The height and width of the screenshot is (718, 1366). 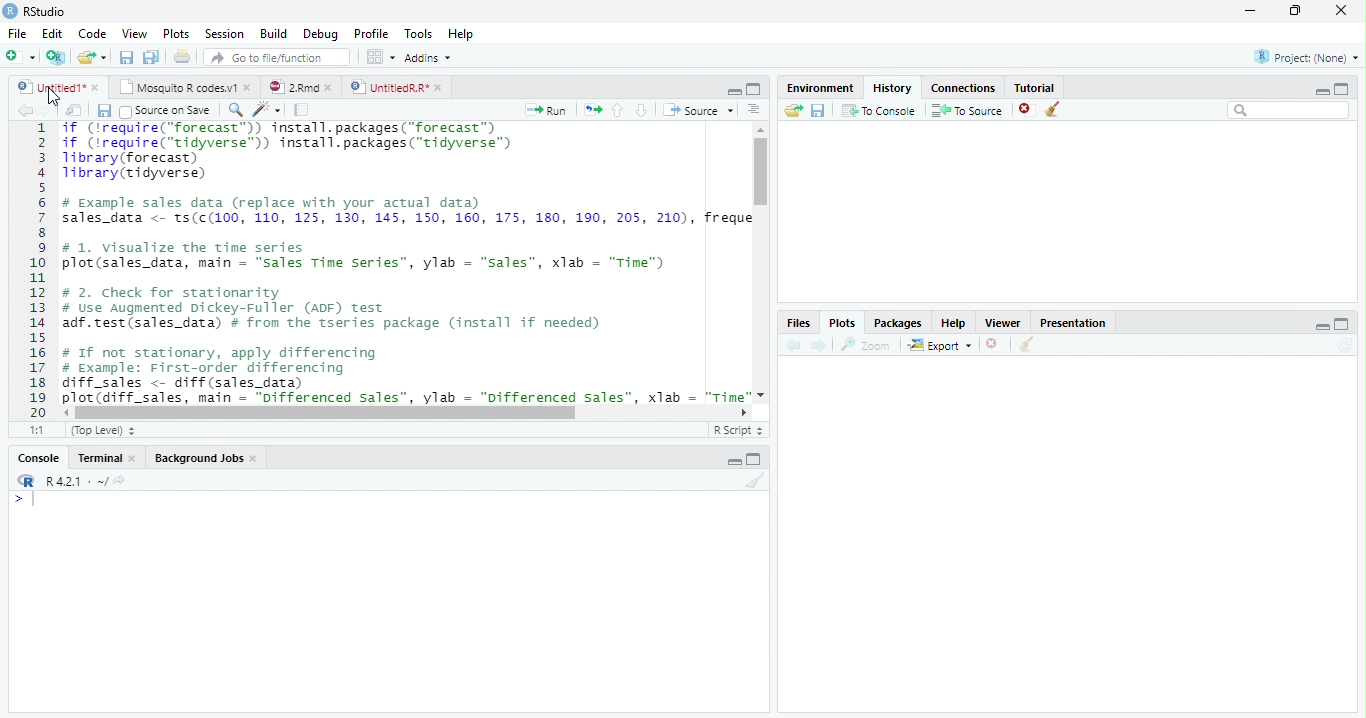 I want to click on Scroll, so click(x=405, y=414).